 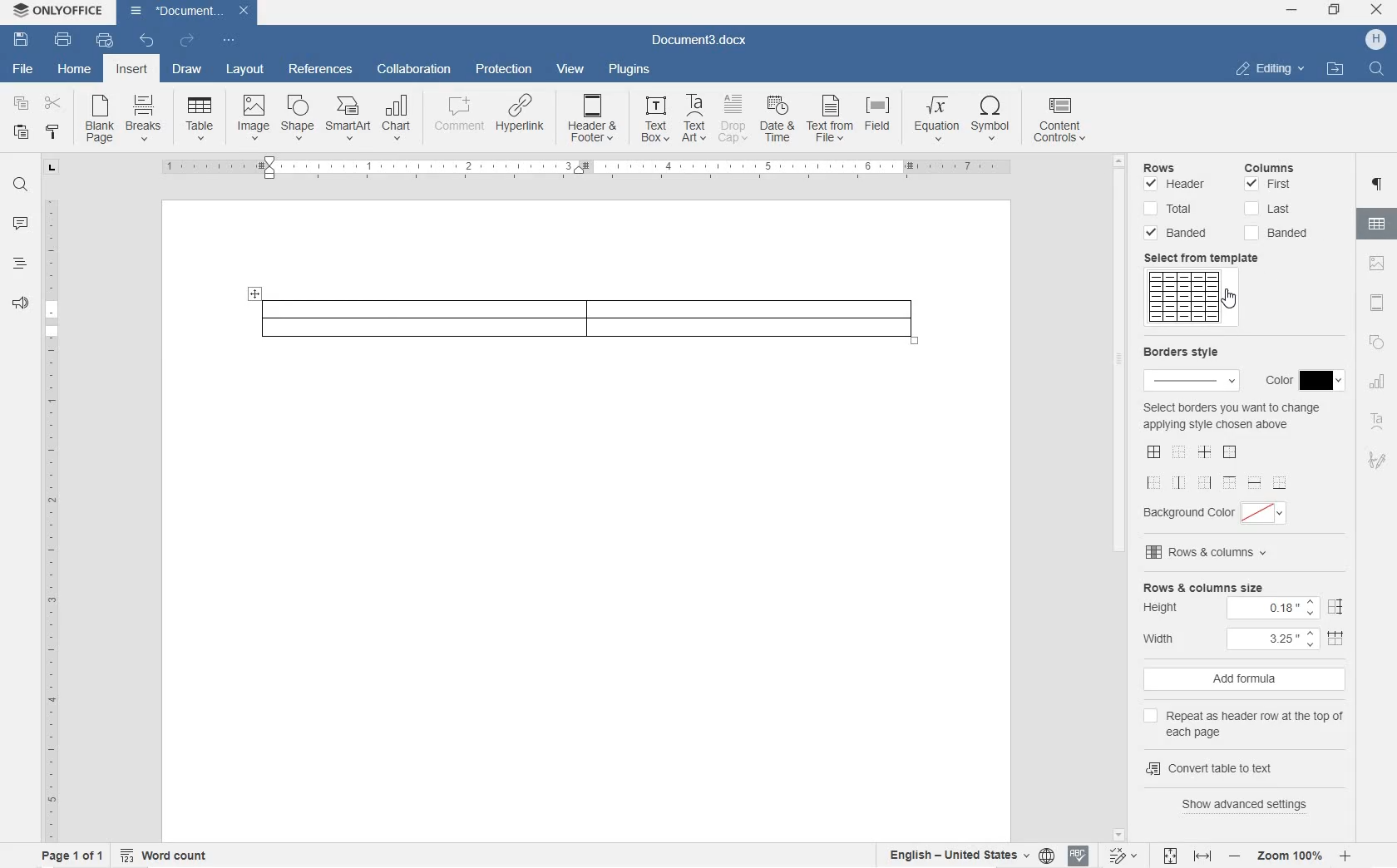 What do you see at coordinates (320, 71) in the screenshot?
I see `REFERENCES` at bounding box center [320, 71].